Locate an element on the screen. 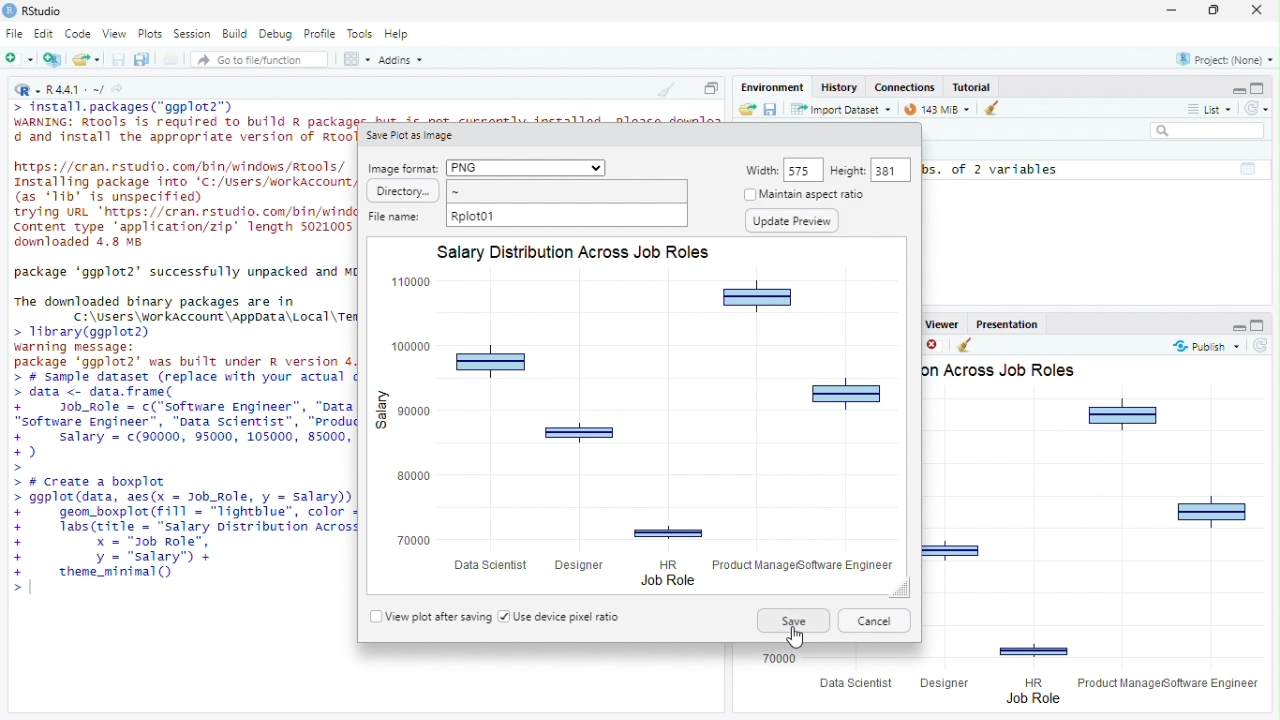 This screenshot has height=720, width=1280. Save workspace as is located at coordinates (770, 108).